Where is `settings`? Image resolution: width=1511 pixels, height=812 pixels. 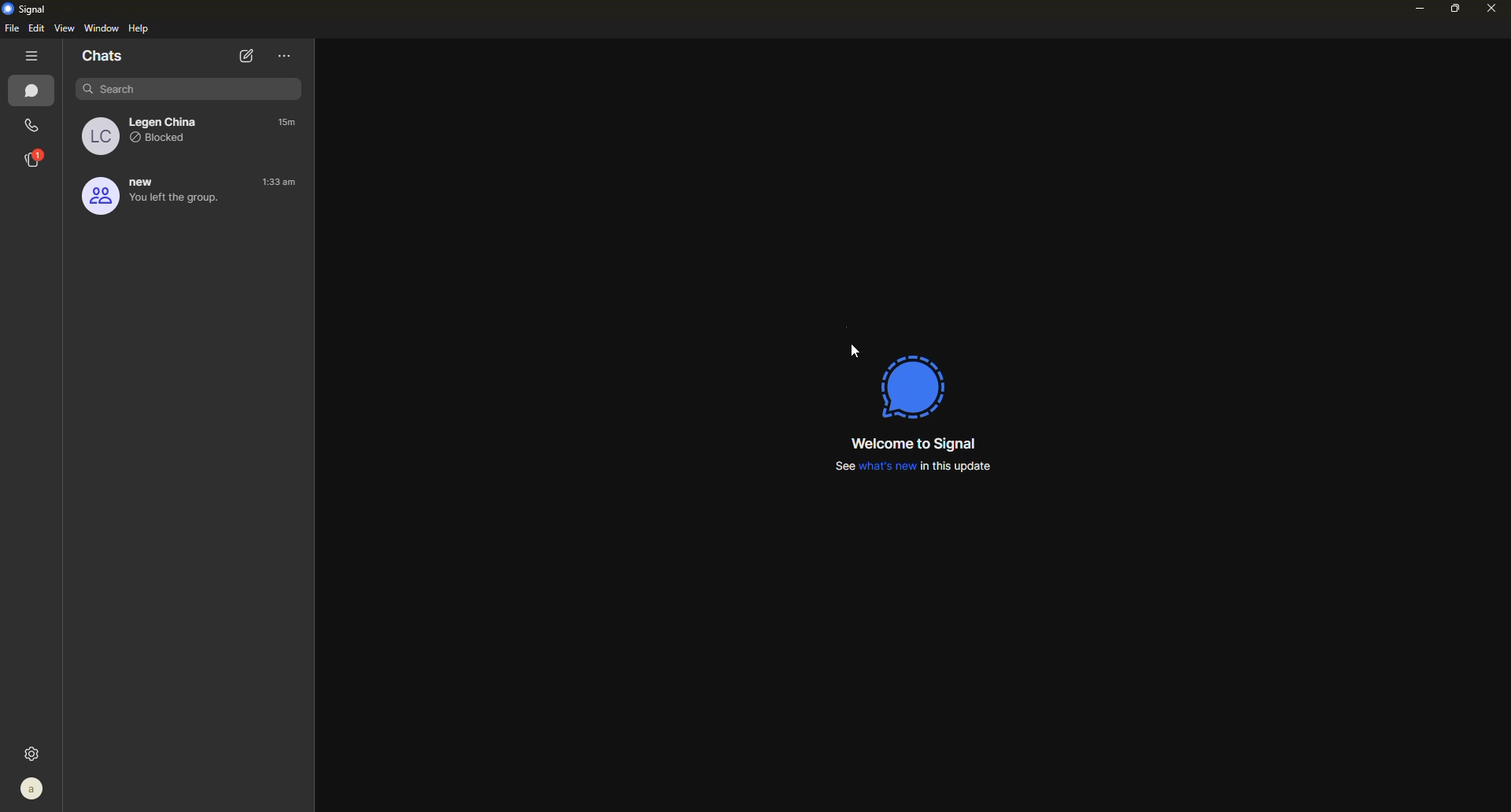
settings is located at coordinates (35, 751).